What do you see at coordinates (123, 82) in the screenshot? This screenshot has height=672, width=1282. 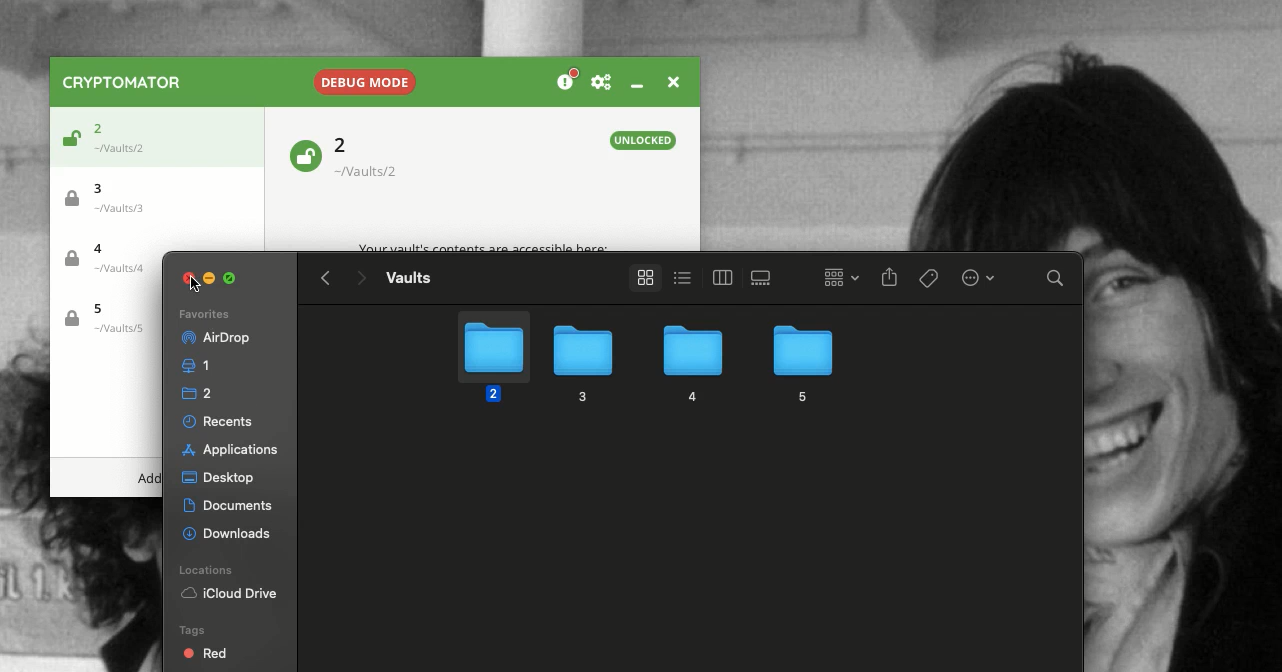 I see `Cryptomator` at bounding box center [123, 82].